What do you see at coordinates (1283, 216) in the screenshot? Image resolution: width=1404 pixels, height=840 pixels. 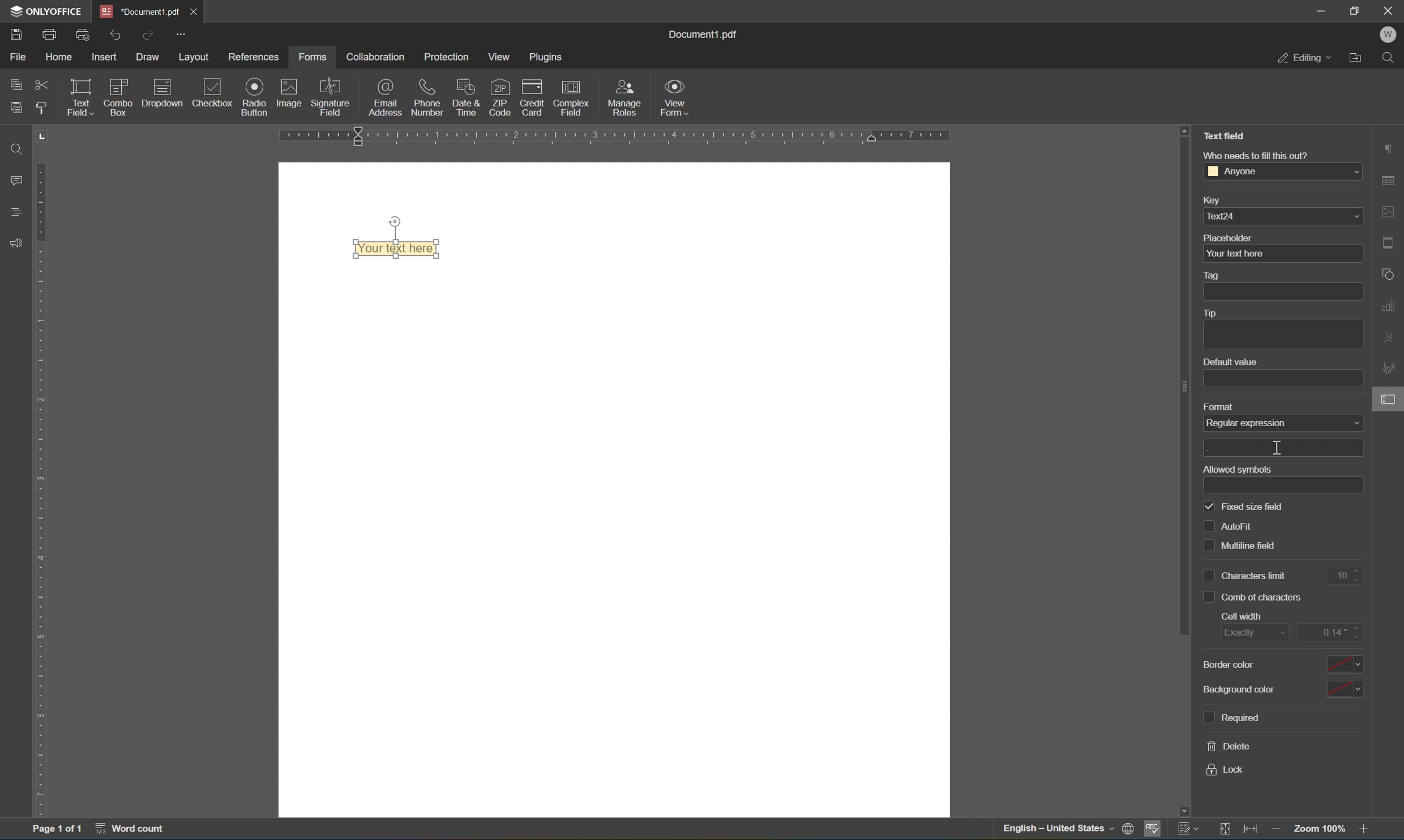 I see `text24` at bounding box center [1283, 216].